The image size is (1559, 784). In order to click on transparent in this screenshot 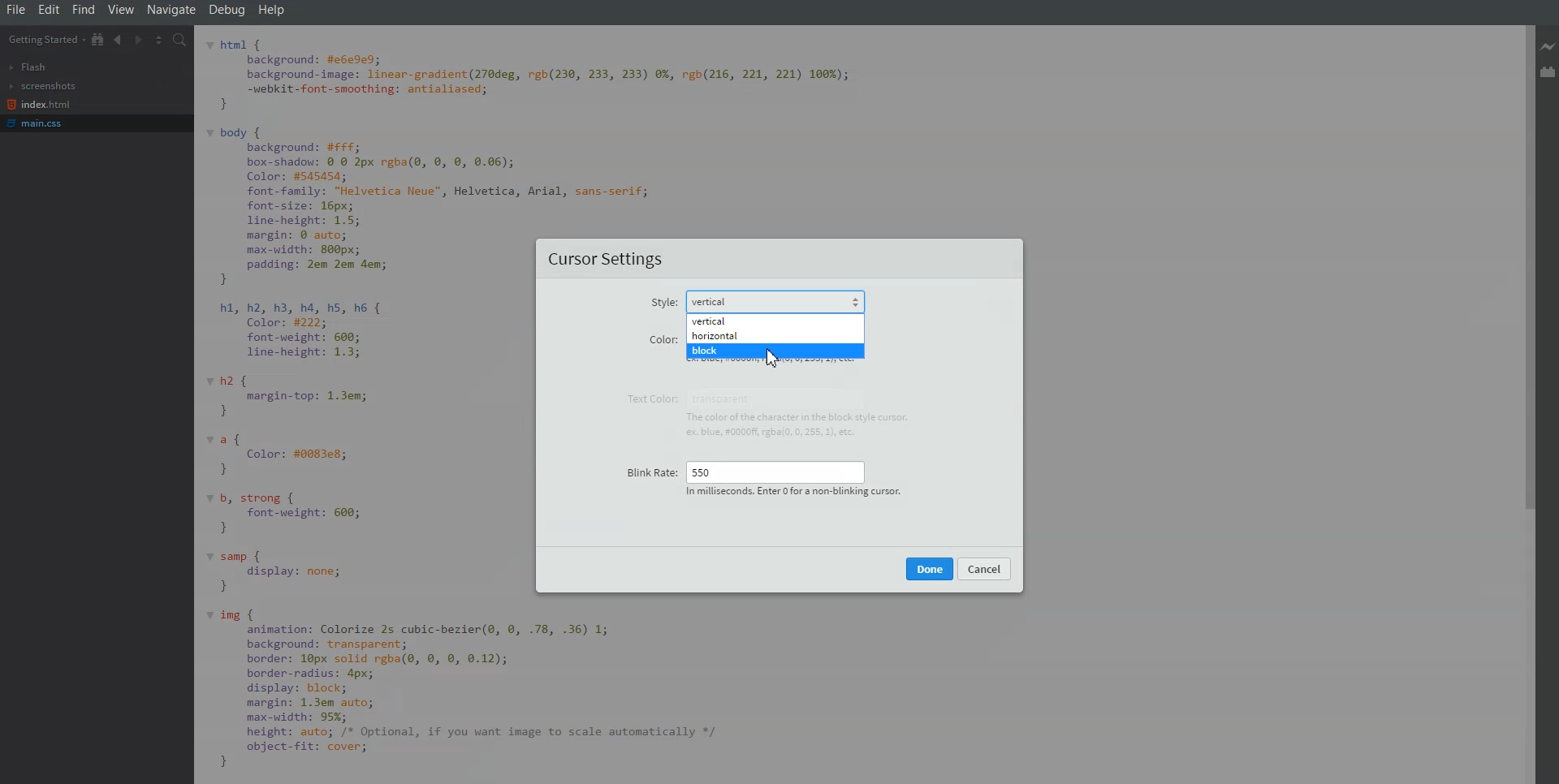, I will do `click(728, 398)`.